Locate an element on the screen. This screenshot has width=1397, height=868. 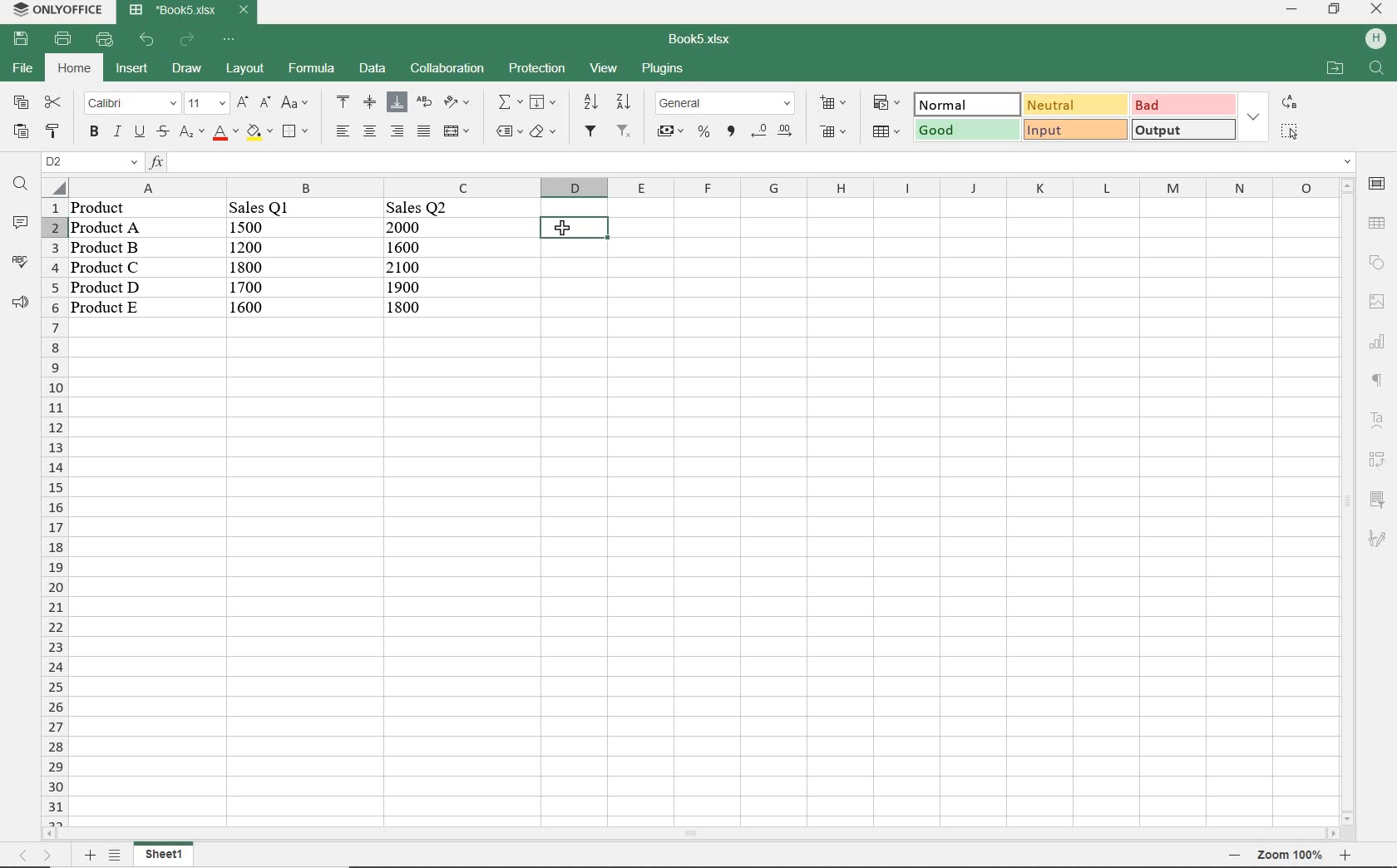
home is located at coordinates (76, 70).